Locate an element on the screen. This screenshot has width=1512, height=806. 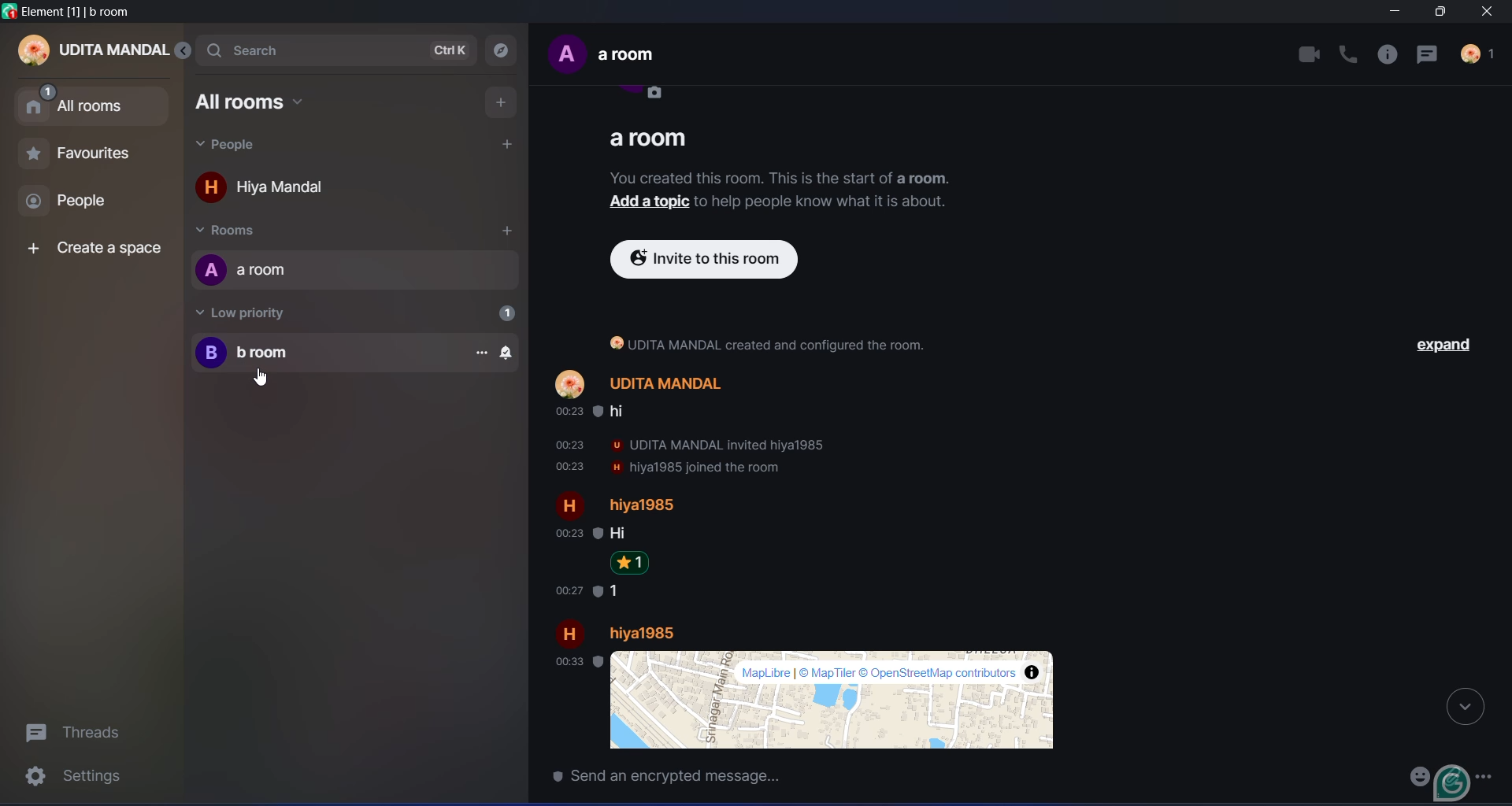
Cursor is located at coordinates (260, 378).